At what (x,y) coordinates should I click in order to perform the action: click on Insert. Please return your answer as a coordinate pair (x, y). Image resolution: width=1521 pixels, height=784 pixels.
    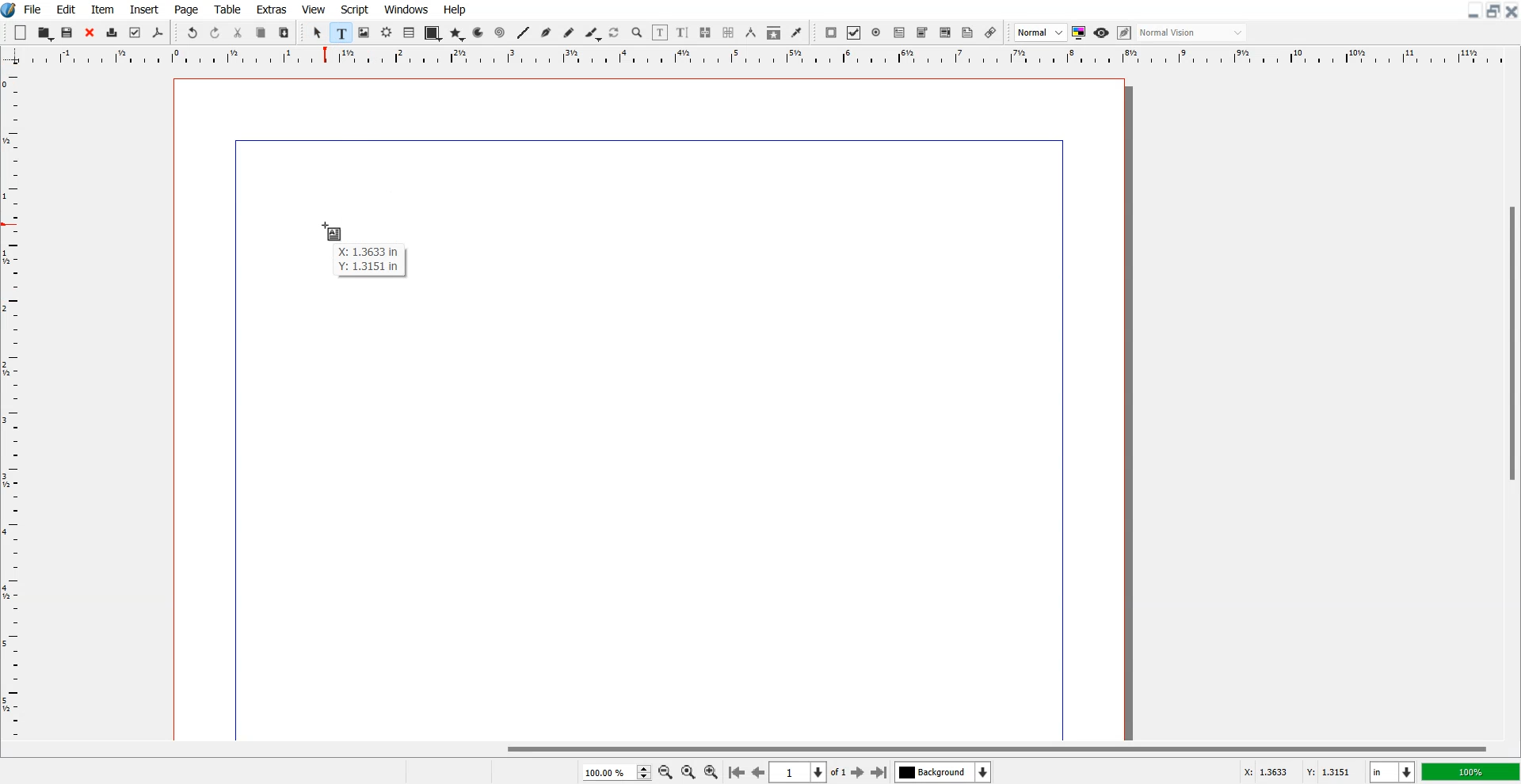
    Looking at the image, I should click on (143, 10).